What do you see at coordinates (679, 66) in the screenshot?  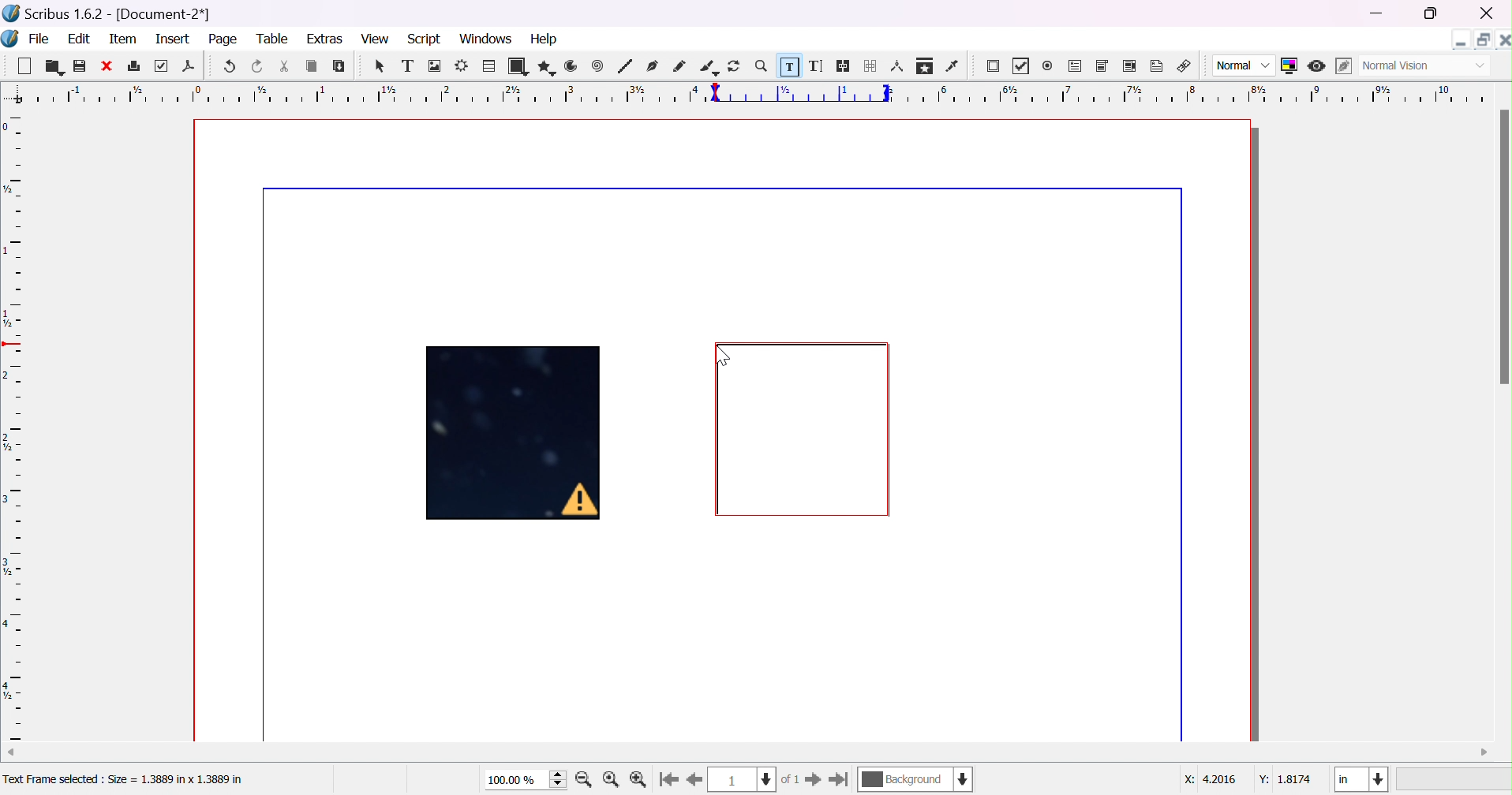 I see `freehand line` at bounding box center [679, 66].